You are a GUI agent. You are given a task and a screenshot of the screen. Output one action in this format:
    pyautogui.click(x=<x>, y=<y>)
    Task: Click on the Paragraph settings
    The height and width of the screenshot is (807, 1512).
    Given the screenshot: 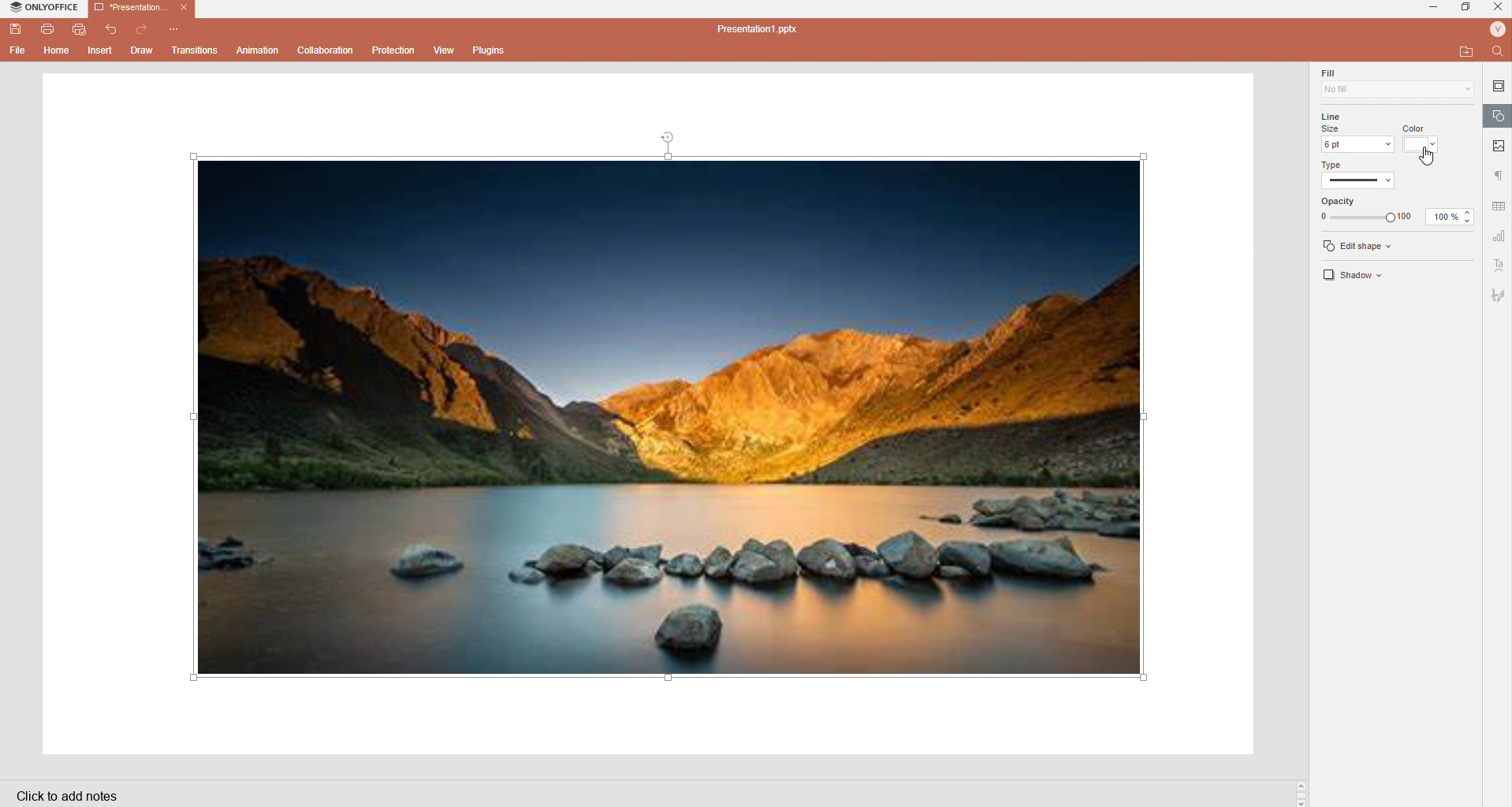 What is the action you would take?
    pyautogui.click(x=1501, y=176)
    